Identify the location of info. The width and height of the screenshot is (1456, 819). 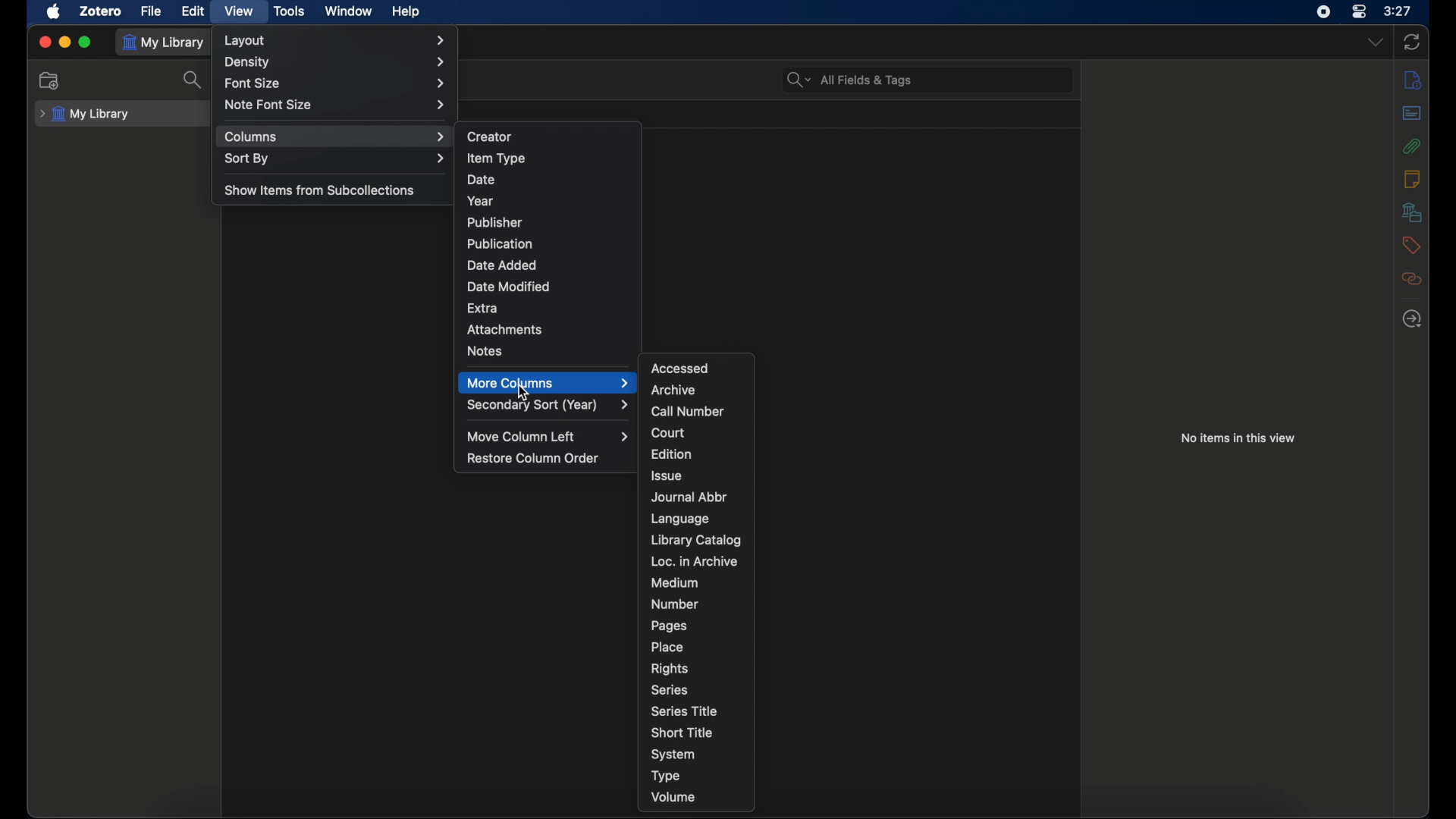
(1412, 178).